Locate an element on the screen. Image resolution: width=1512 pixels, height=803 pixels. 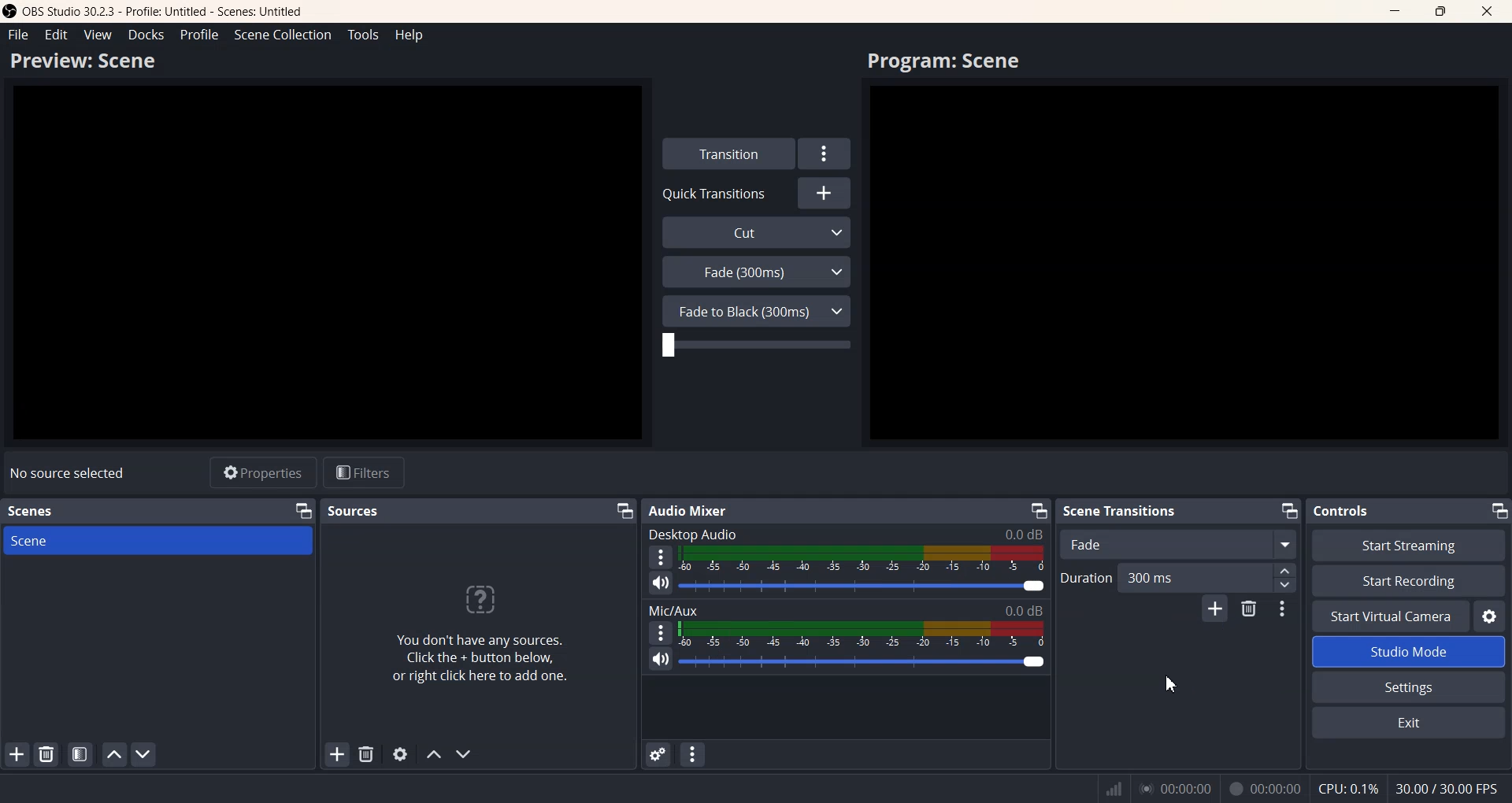
Edit is located at coordinates (55, 34).